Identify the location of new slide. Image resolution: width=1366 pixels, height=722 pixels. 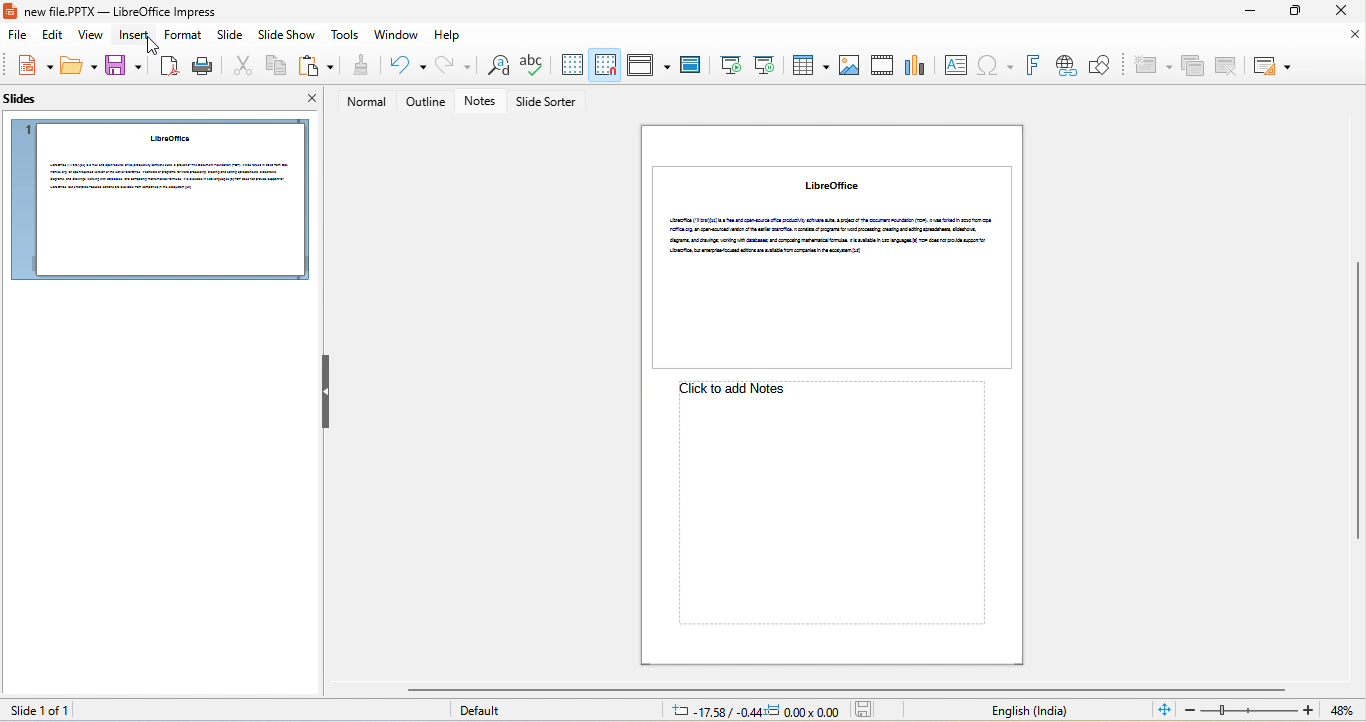
(1151, 66).